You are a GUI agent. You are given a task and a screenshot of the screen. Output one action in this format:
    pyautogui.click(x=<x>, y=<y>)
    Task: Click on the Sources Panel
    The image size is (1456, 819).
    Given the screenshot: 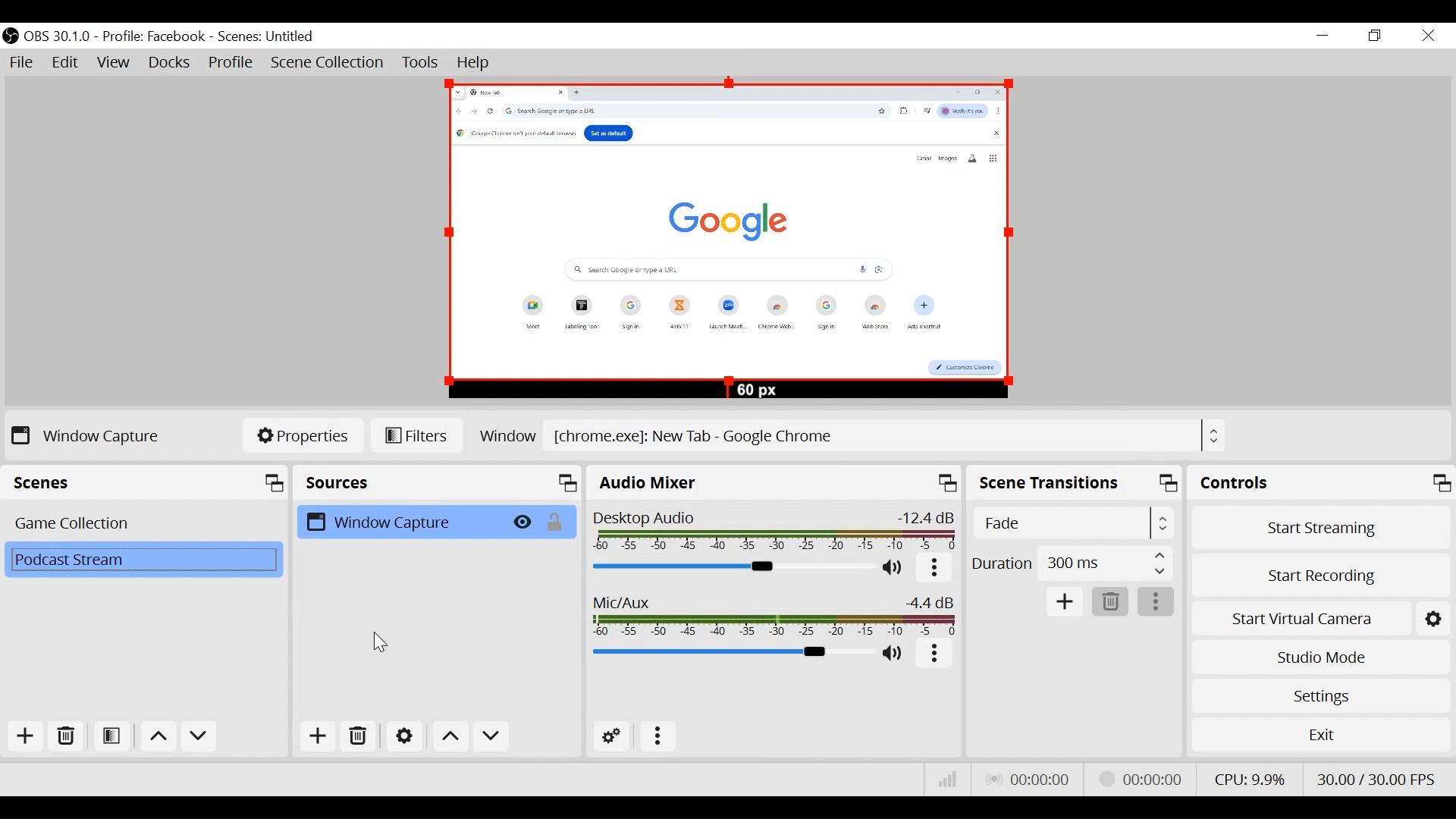 What is the action you would take?
    pyautogui.click(x=438, y=482)
    